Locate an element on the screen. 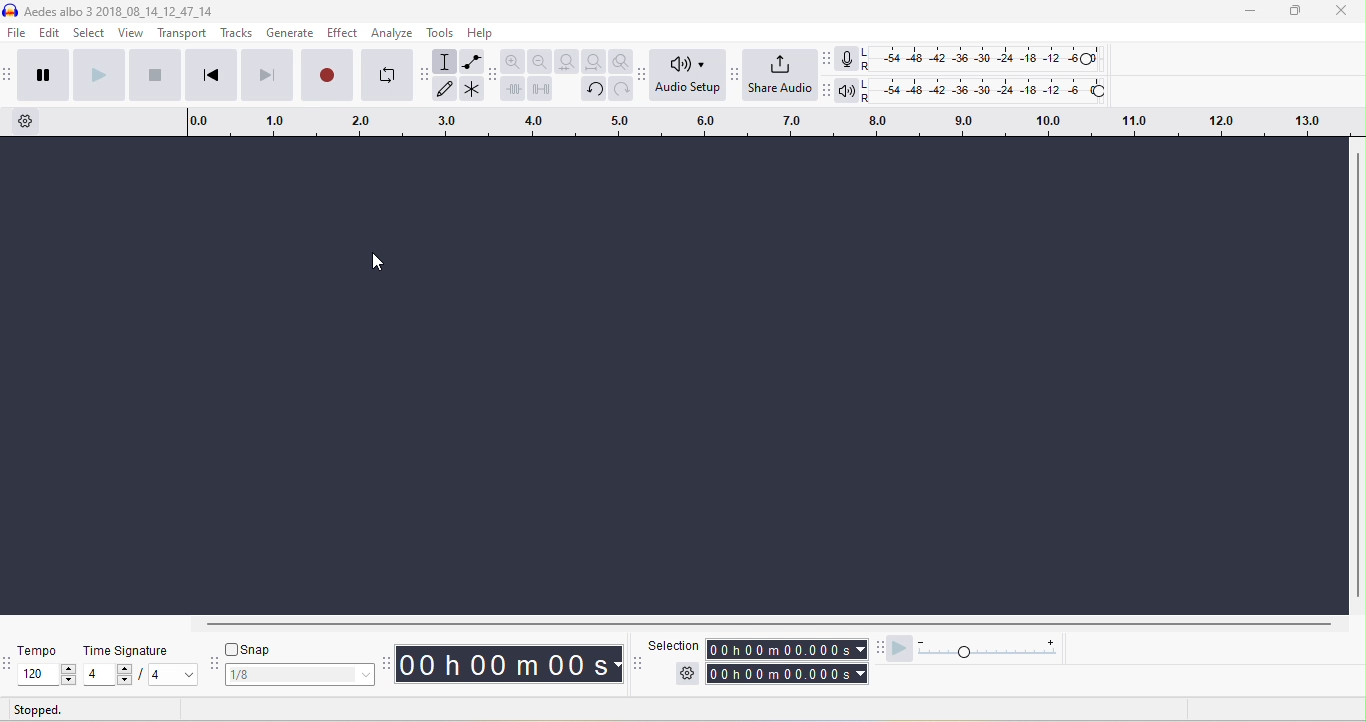 Image resolution: width=1366 pixels, height=722 pixels. R is located at coordinates (867, 68).